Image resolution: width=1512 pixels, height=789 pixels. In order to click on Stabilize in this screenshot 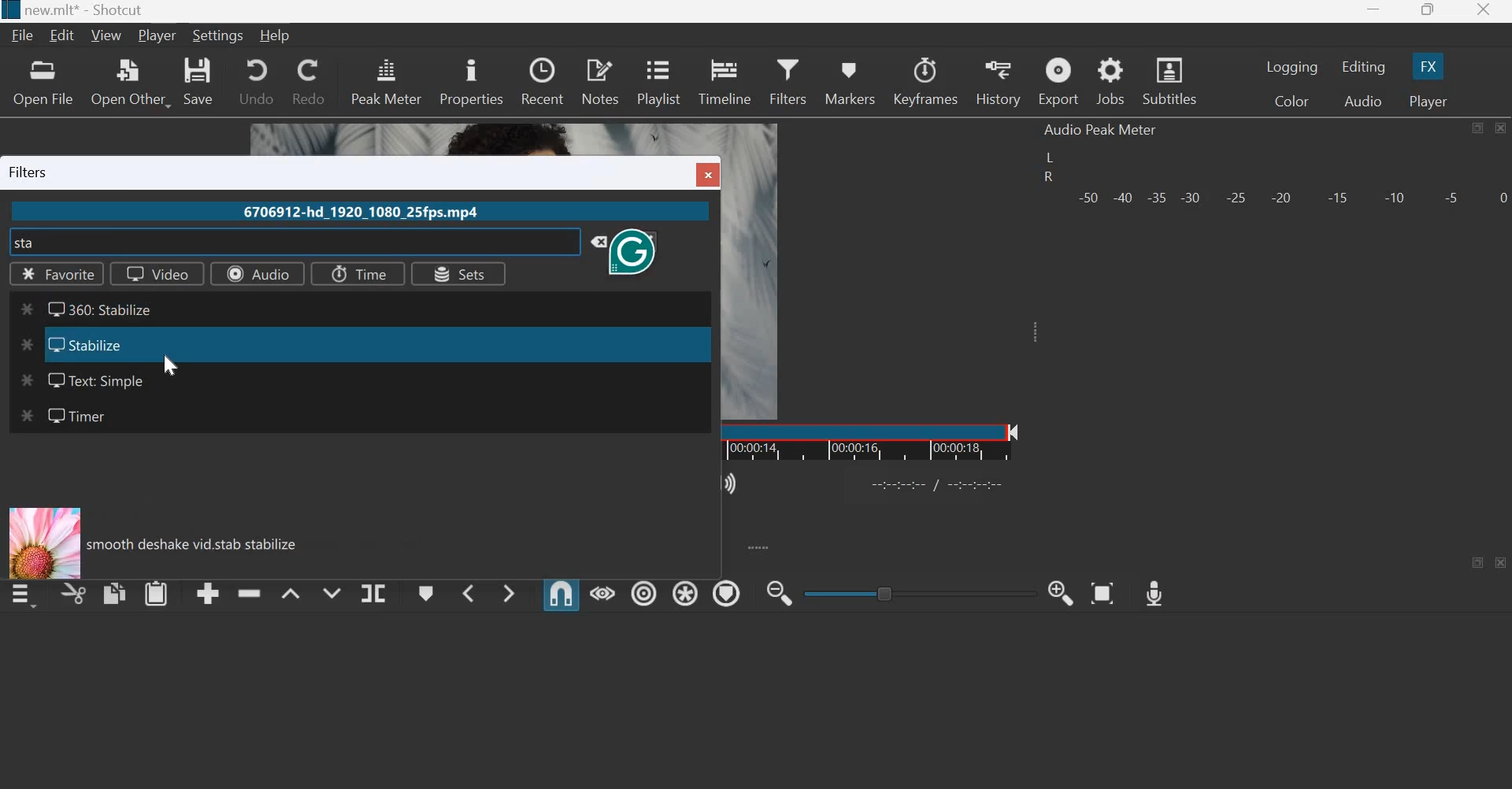, I will do `click(71, 346)`.